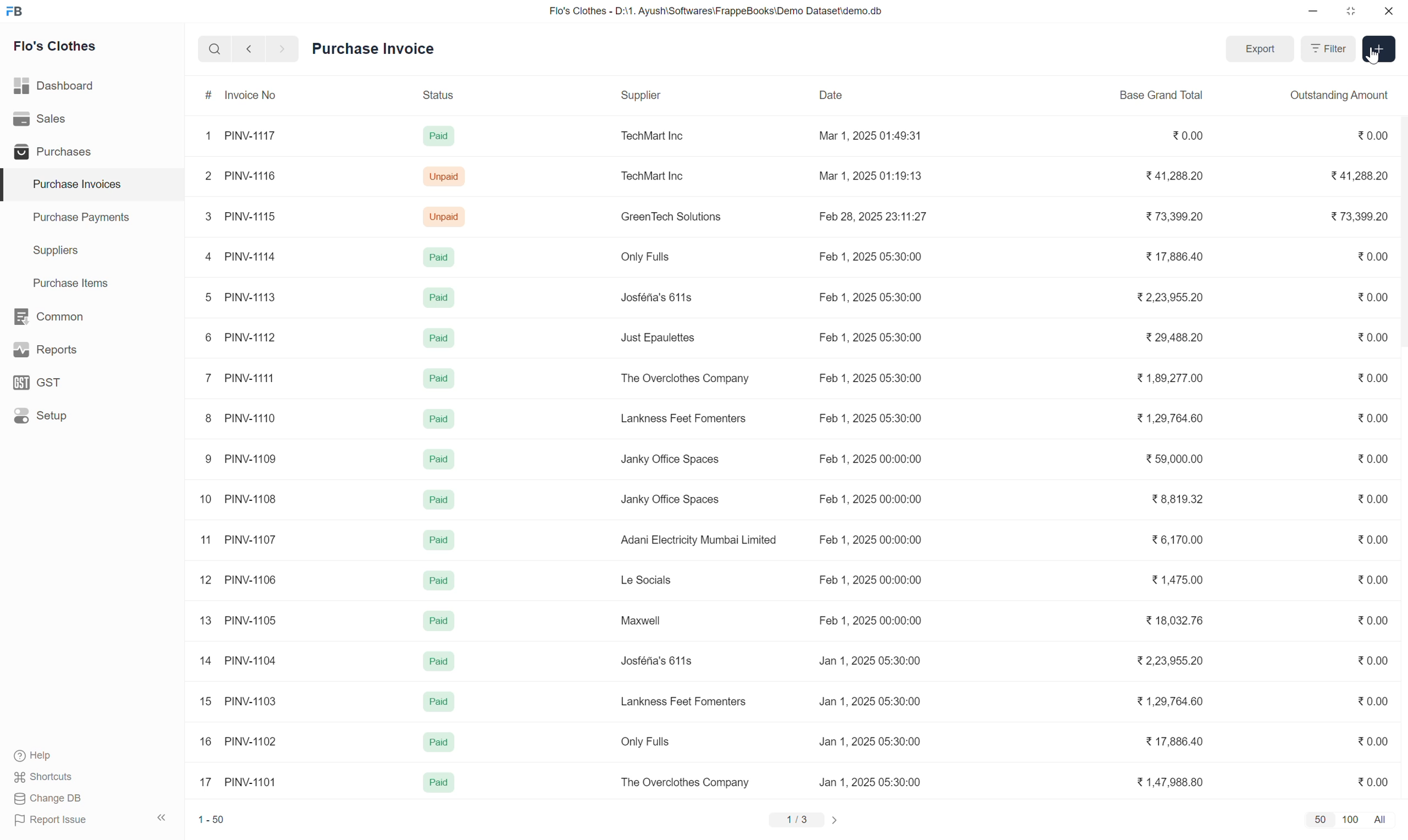 The height and width of the screenshot is (840, 1408). What do you see at coordinates (870, 337) in the screenshot?
I see `Feb 1, 2025 05:30:00` at bounding box center [870, 337].